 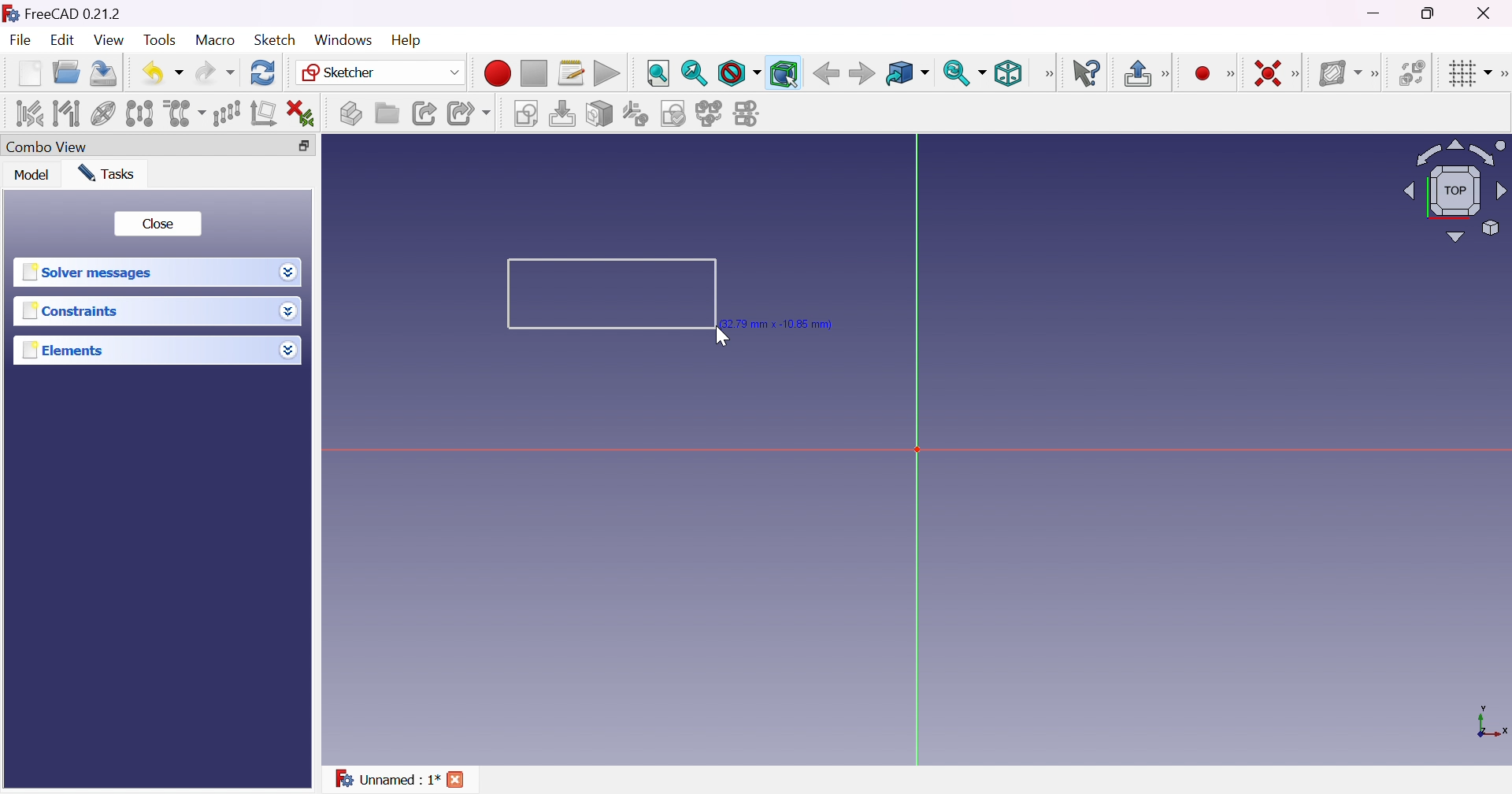 I want to click on Windows, so click(x=343, y=40).